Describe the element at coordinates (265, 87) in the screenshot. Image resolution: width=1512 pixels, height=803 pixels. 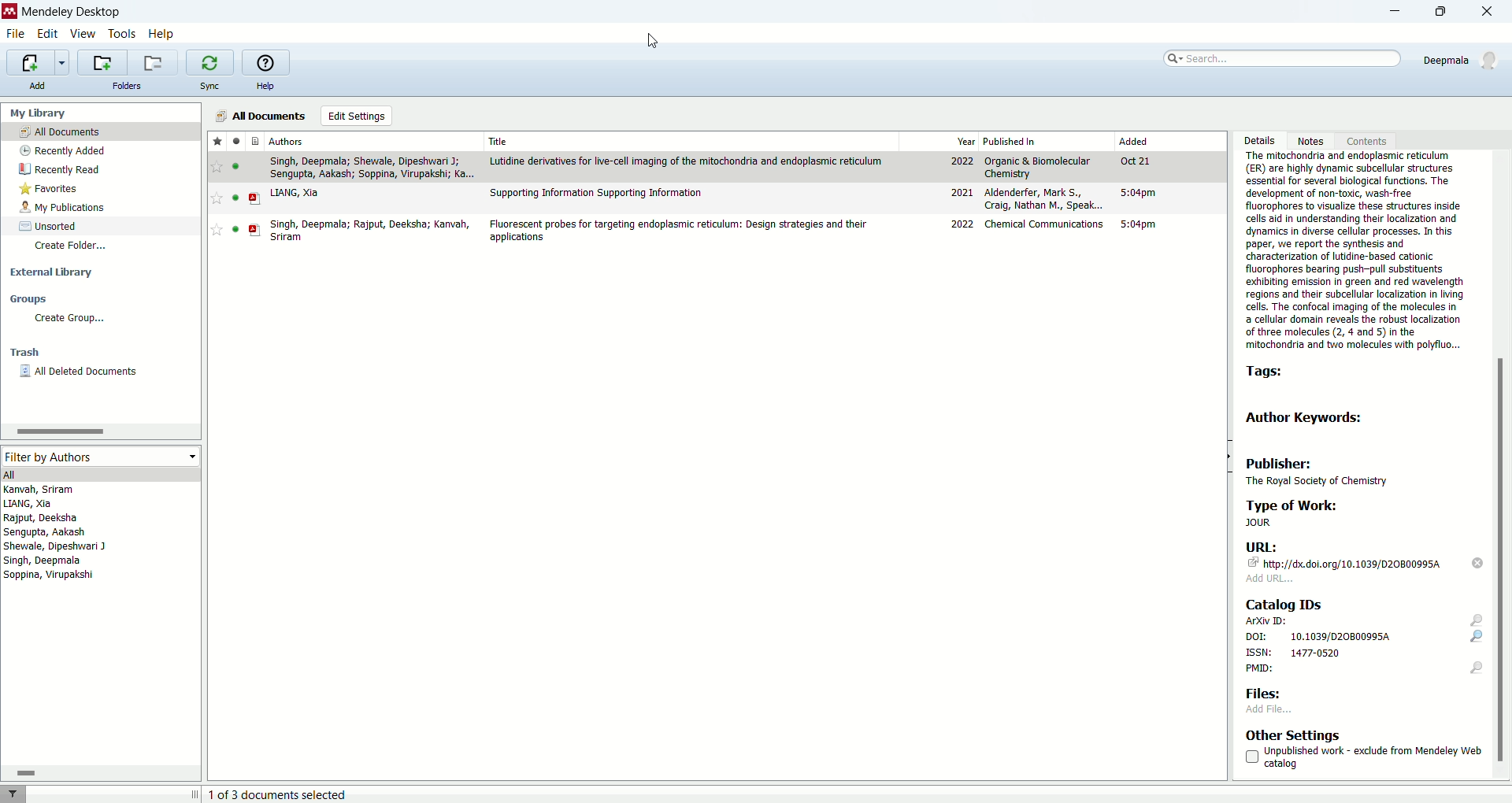
I see `help` at that location.